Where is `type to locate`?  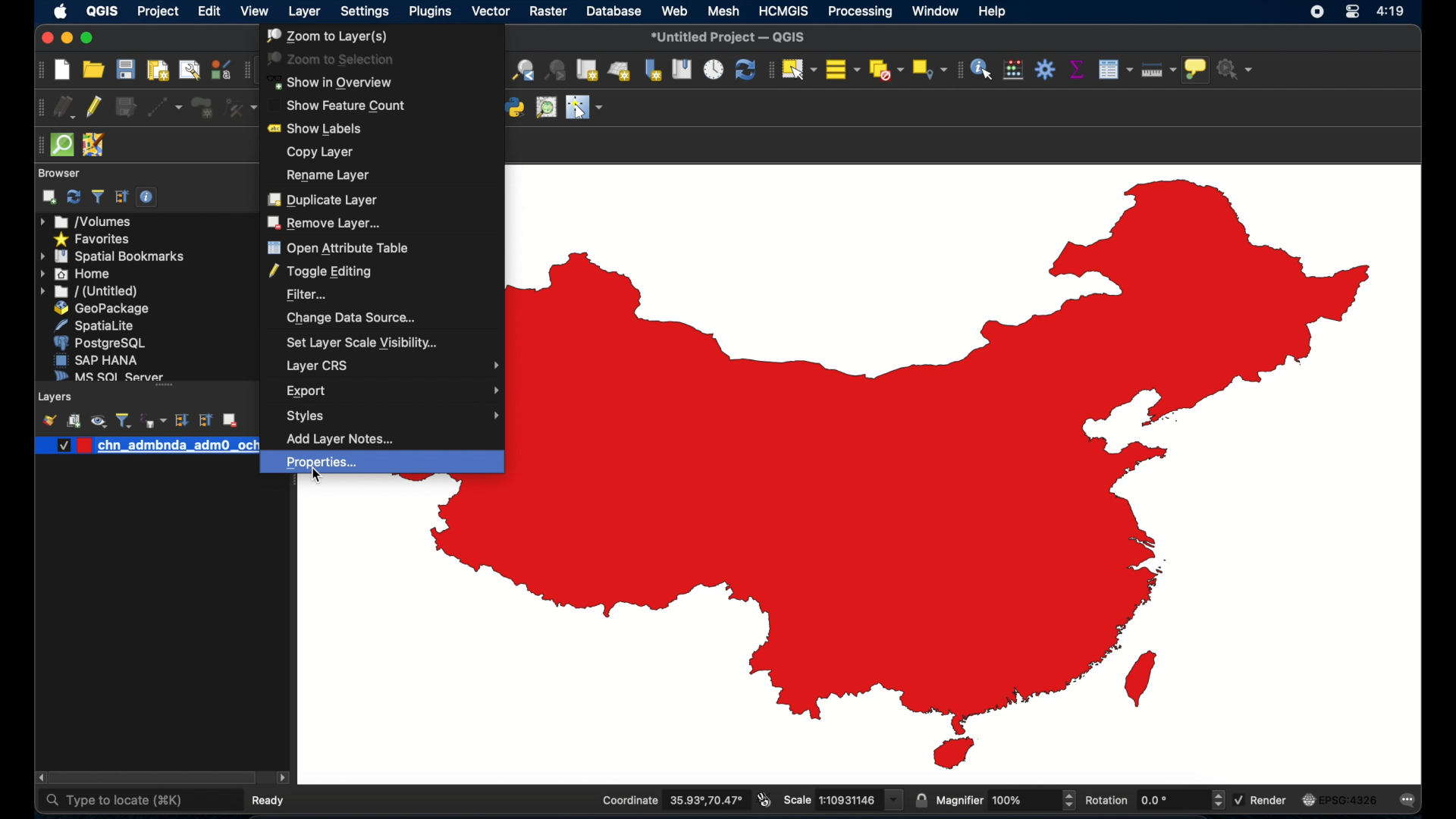
type to locate is located at coordinates (114, 801).